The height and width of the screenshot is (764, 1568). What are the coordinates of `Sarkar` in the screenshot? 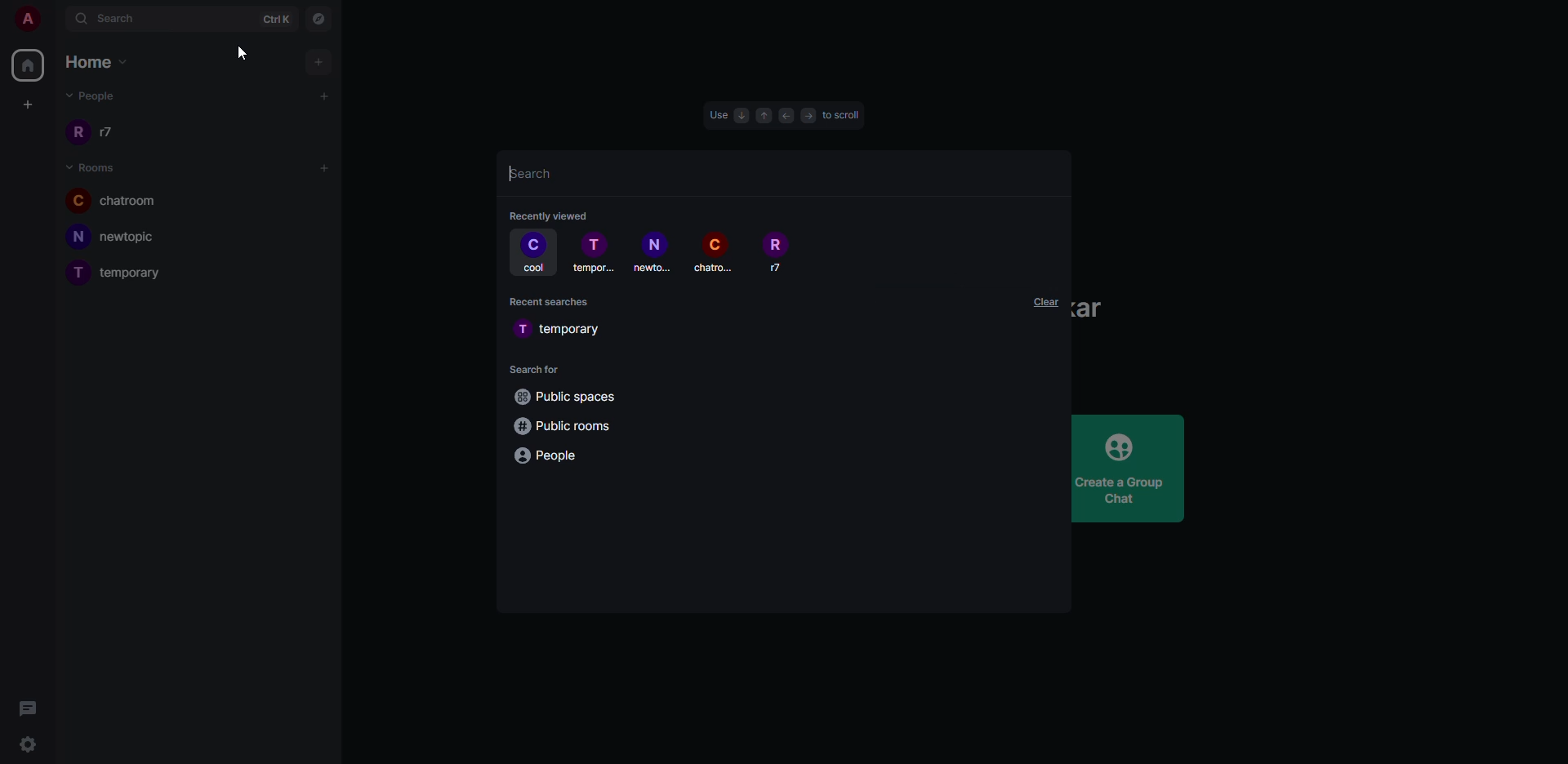 It's located at (1092, 309).